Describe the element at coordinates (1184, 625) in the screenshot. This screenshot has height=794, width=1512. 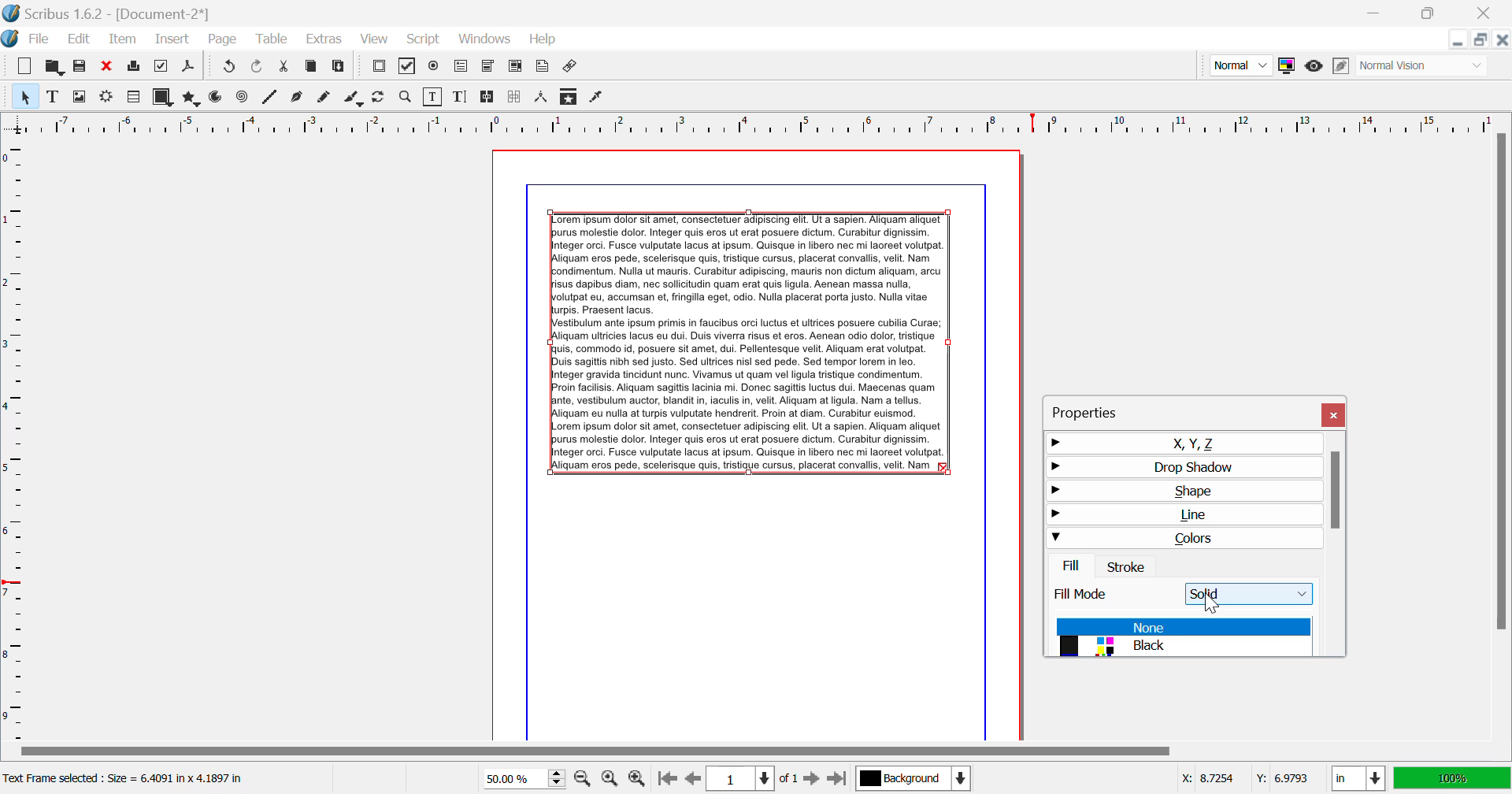
I see `None` at that location.